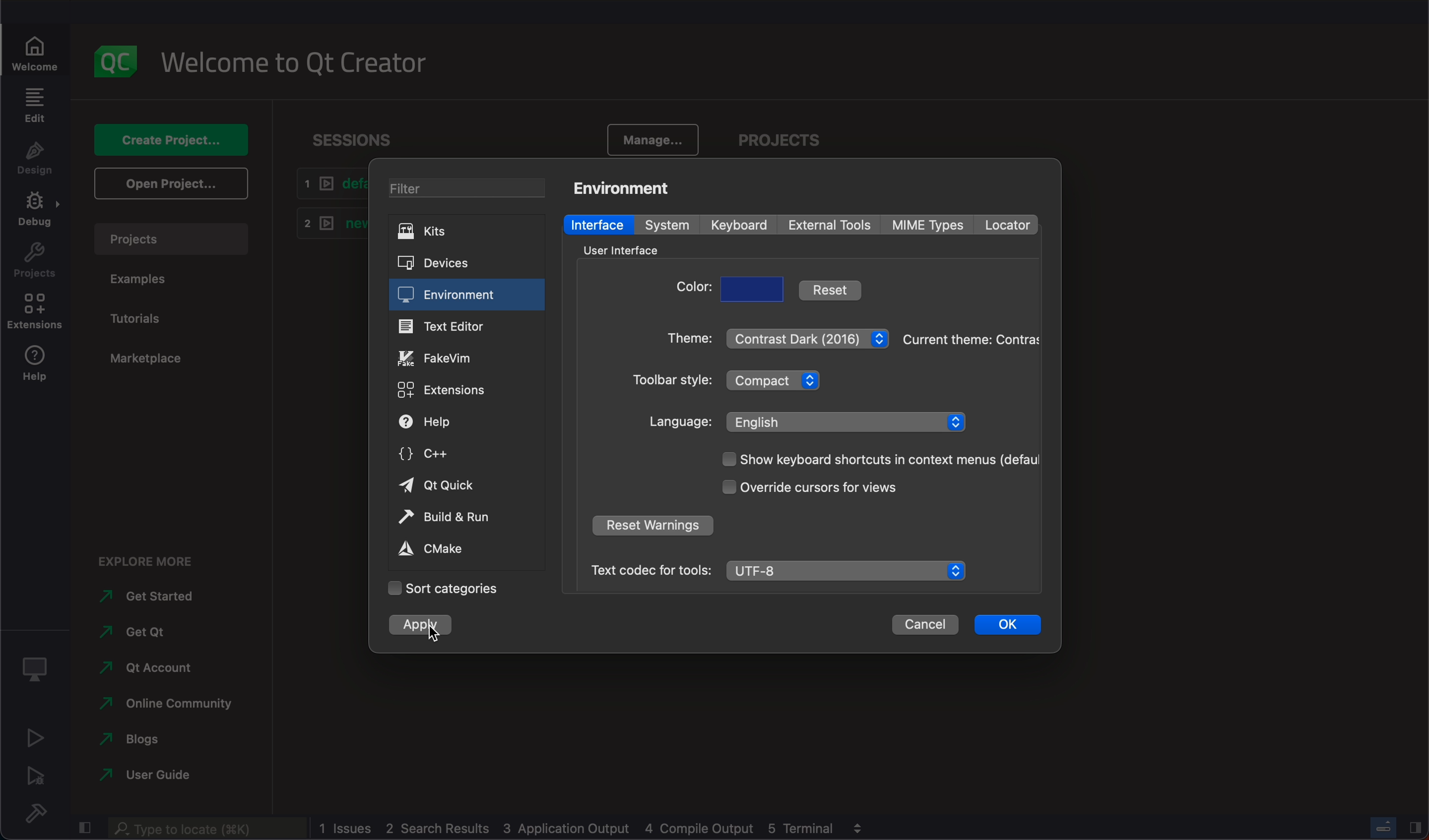 The image size is (1429, 840). Describe the element at coordinates (455, 548) in the screenshot. I see `cmake` at that location.